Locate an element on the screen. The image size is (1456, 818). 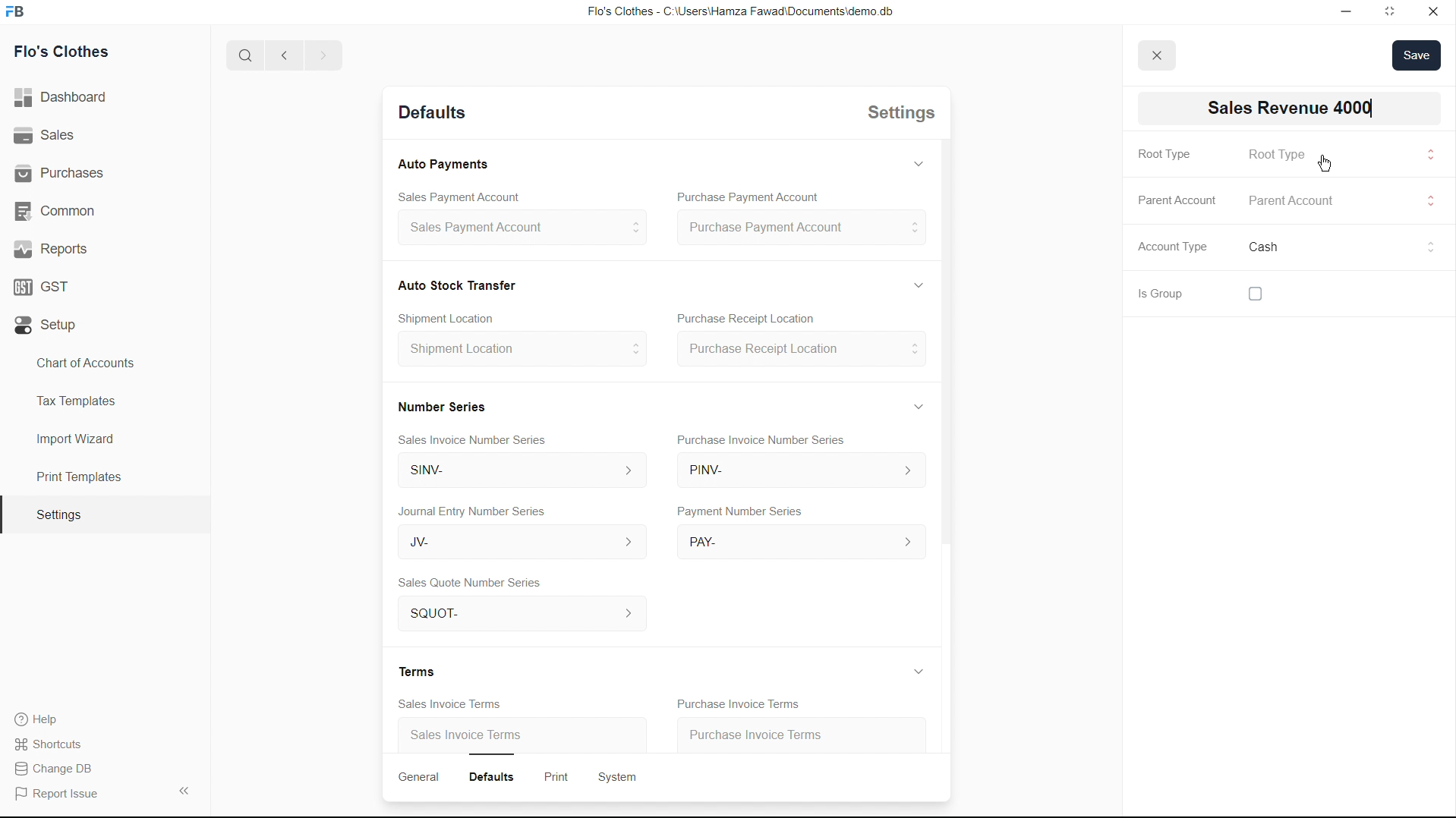
Setup is located at coordinates (49, 326).